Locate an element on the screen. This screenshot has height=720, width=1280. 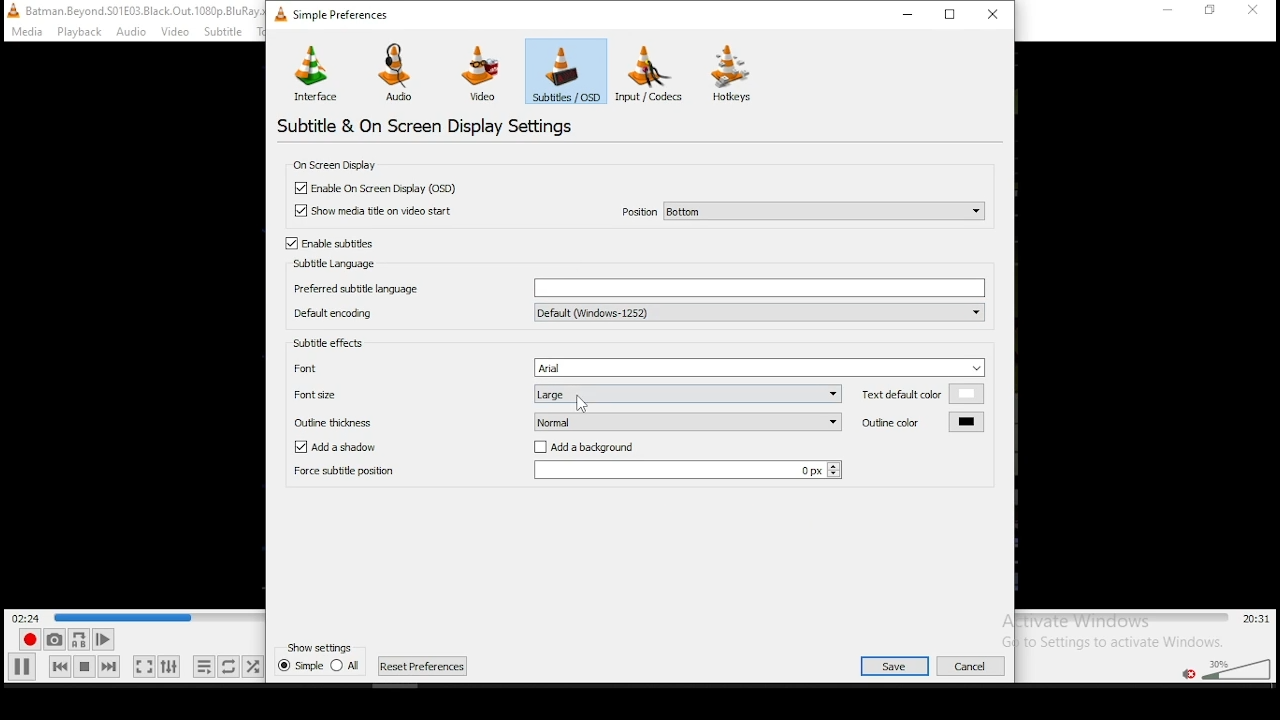
subtitle is located at coordinates (221, 32).